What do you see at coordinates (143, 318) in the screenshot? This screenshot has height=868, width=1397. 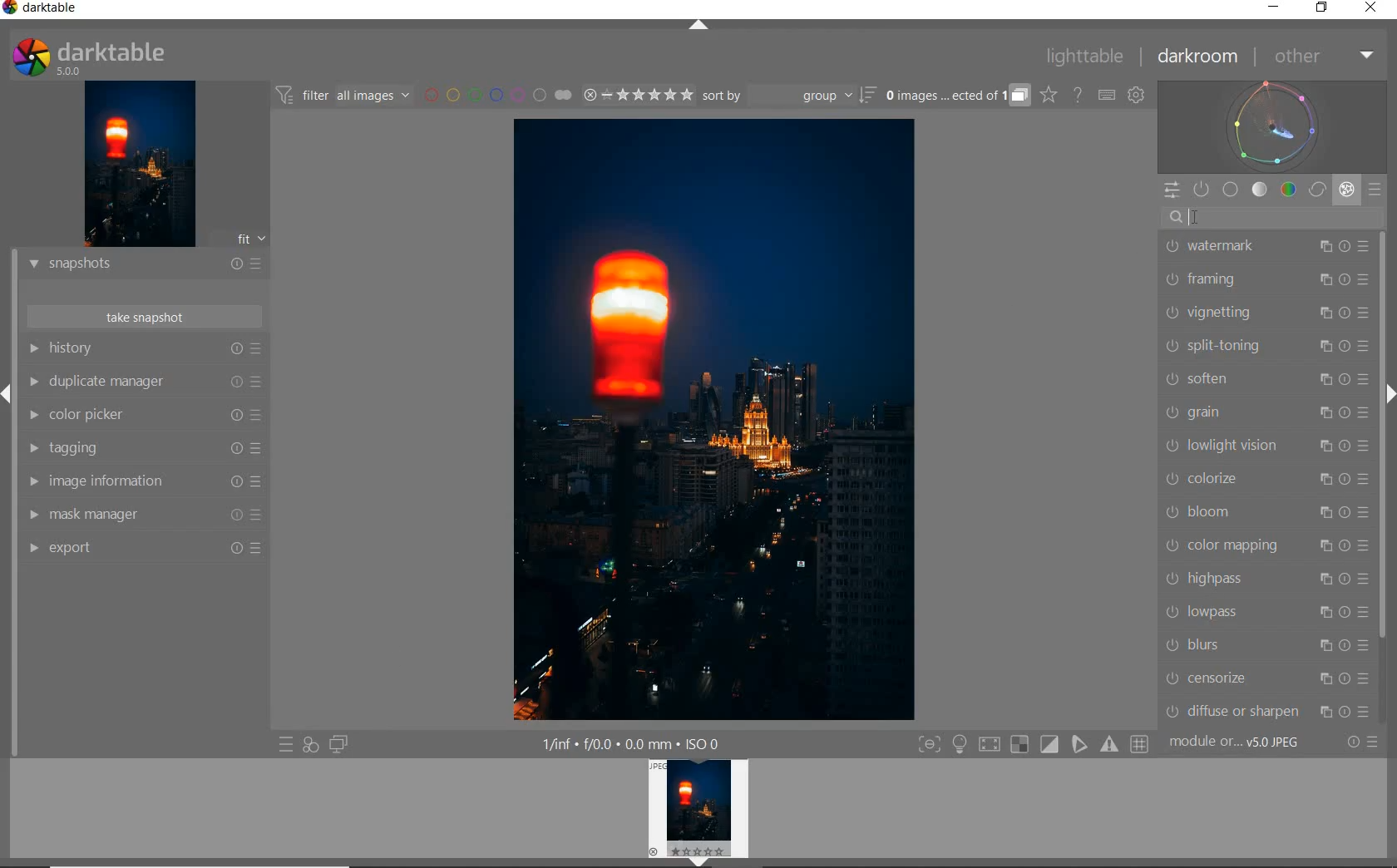 I see `TAKE SNAPSHOT` at bounding box center [143, 318].